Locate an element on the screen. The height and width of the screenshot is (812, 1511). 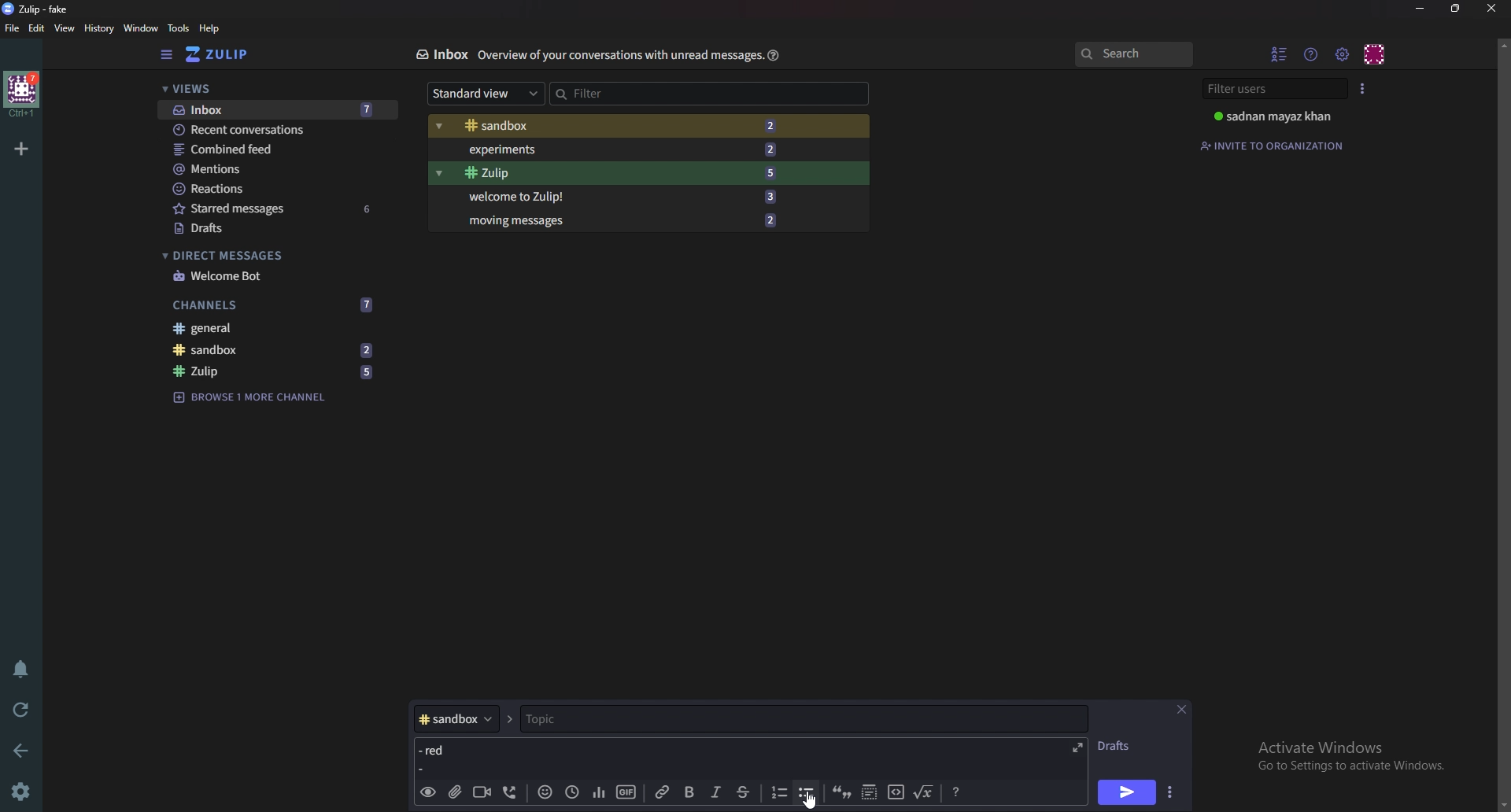
bold is located at coordinates (692, 793).